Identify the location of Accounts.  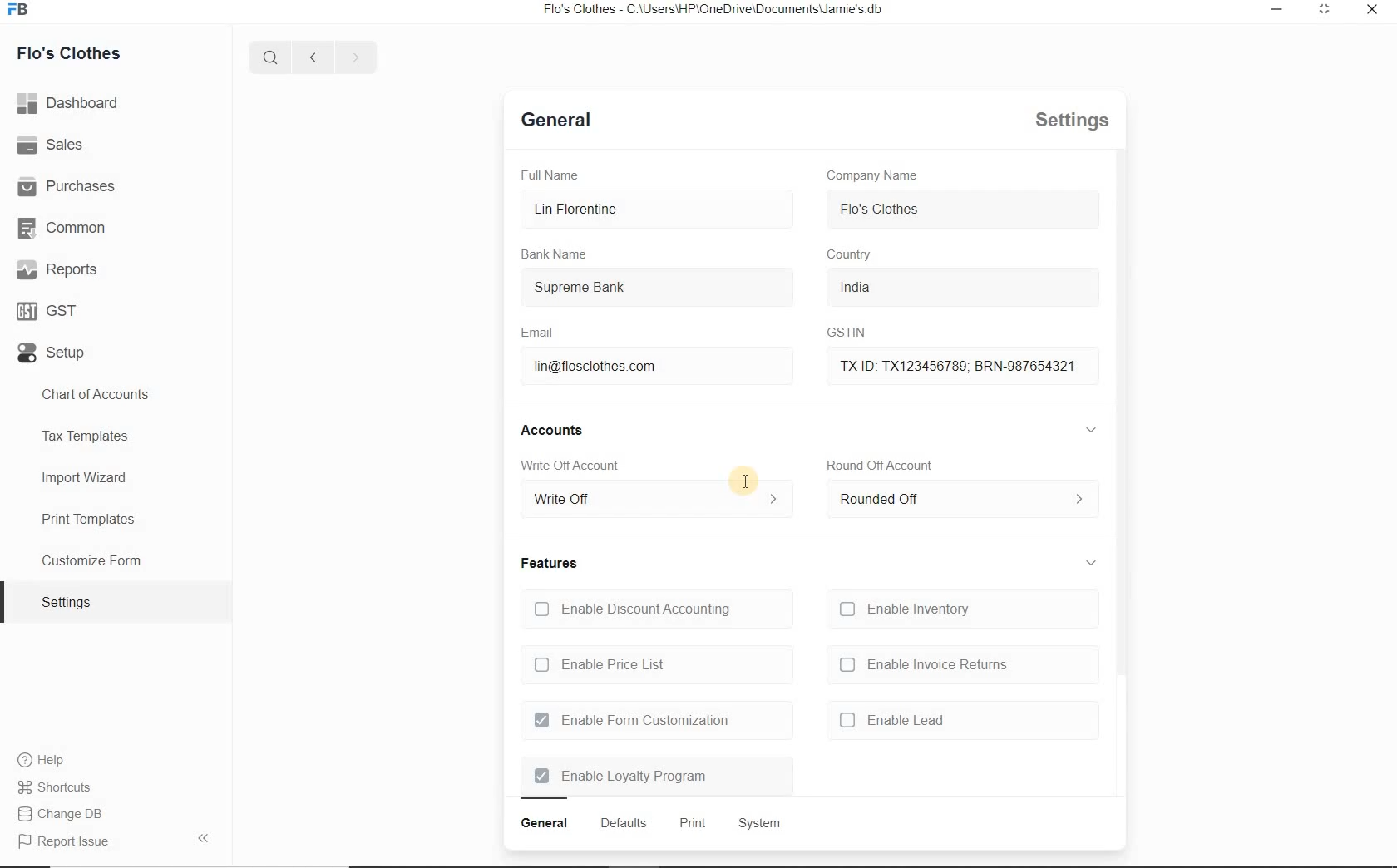
(555, 430).